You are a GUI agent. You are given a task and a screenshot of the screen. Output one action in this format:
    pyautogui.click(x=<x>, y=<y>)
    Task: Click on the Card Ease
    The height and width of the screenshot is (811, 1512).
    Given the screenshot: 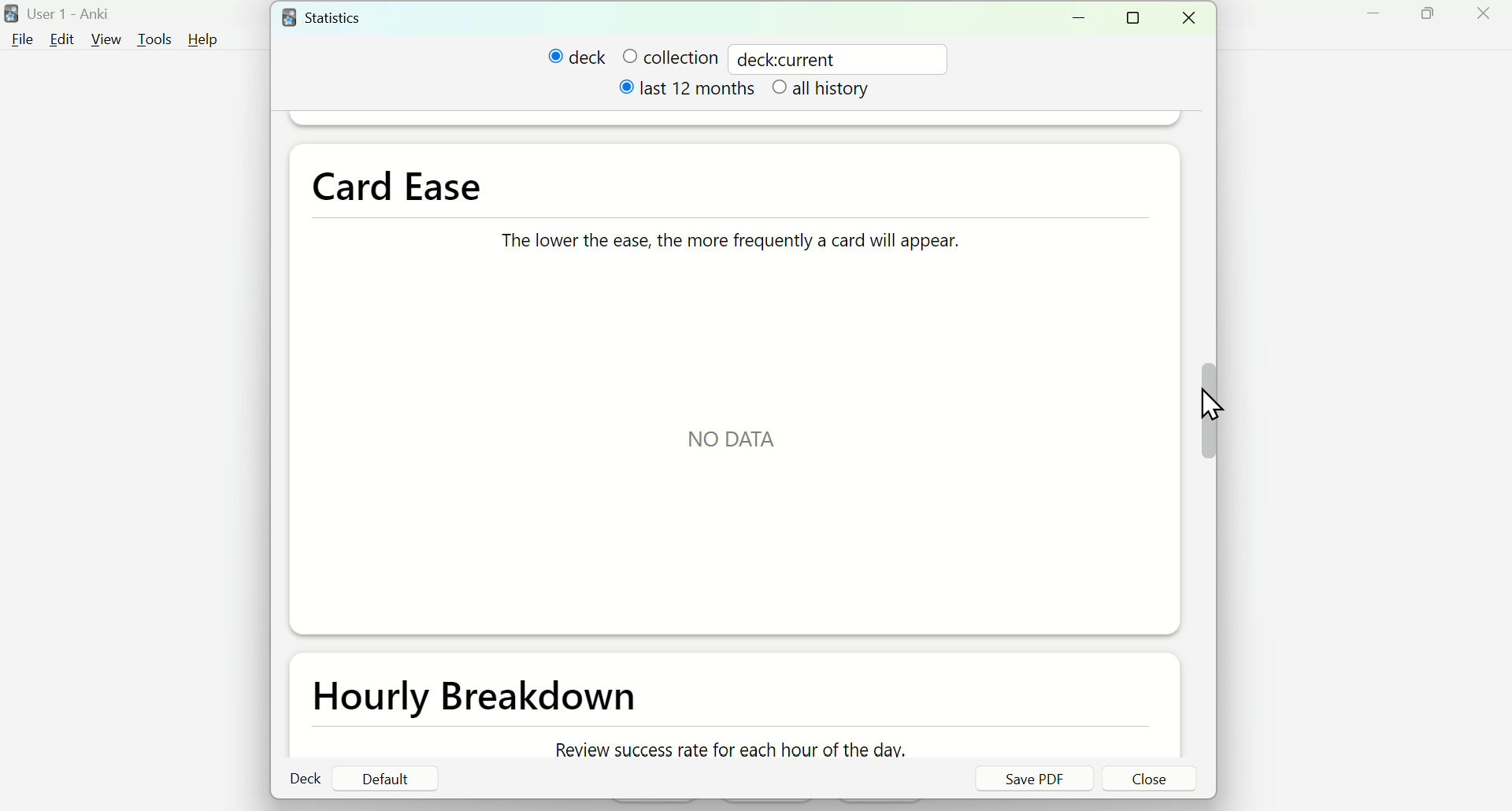 What is the action you would take?
    pyautogui.click(x=400, y=184)
    